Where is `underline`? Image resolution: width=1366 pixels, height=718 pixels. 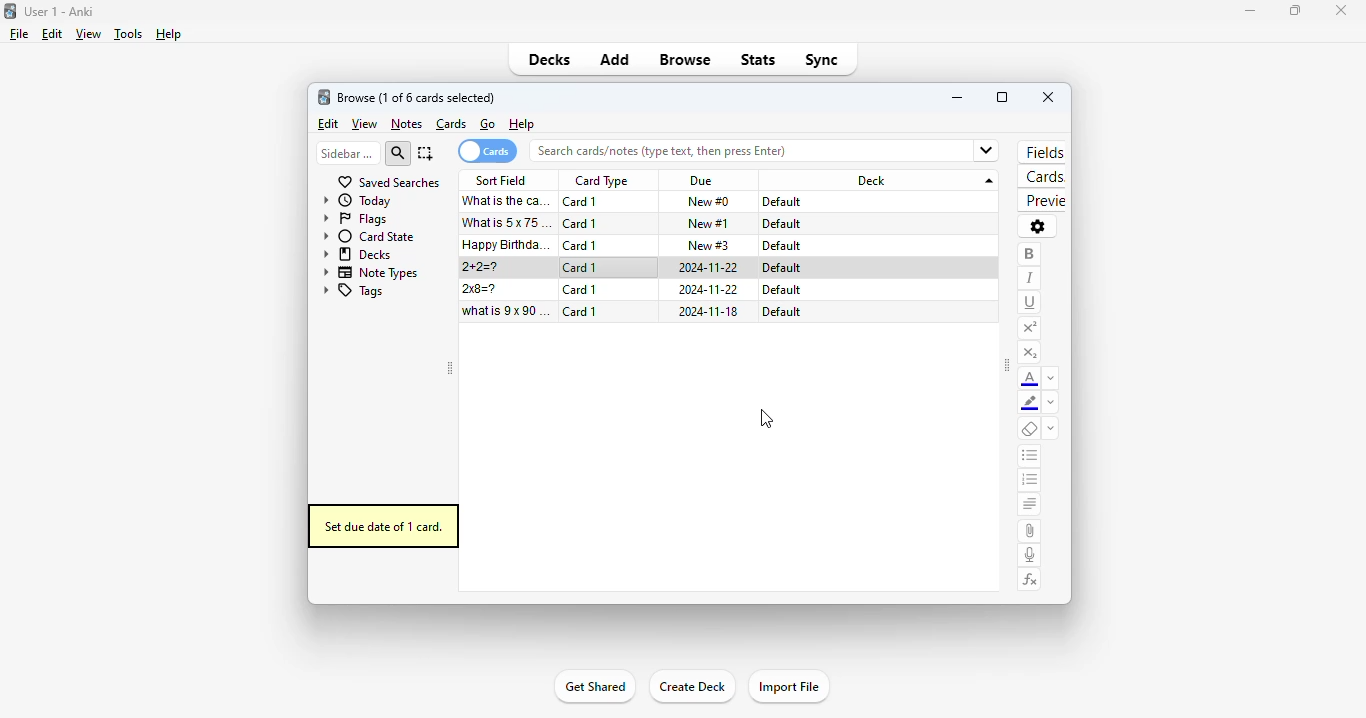
underline is located at coordinates (1030, 302).